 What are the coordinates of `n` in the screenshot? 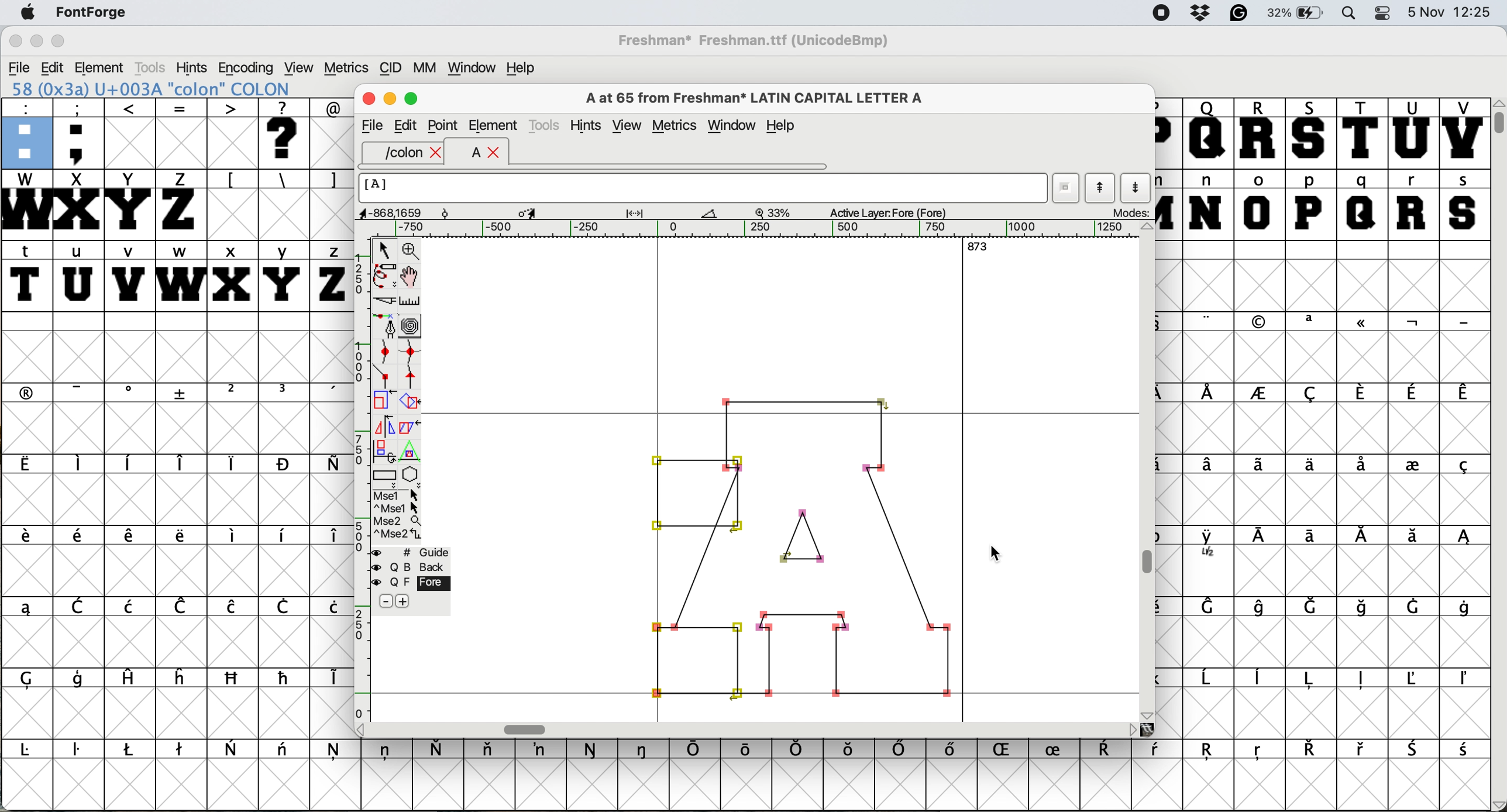 It's located at (1206, 204).